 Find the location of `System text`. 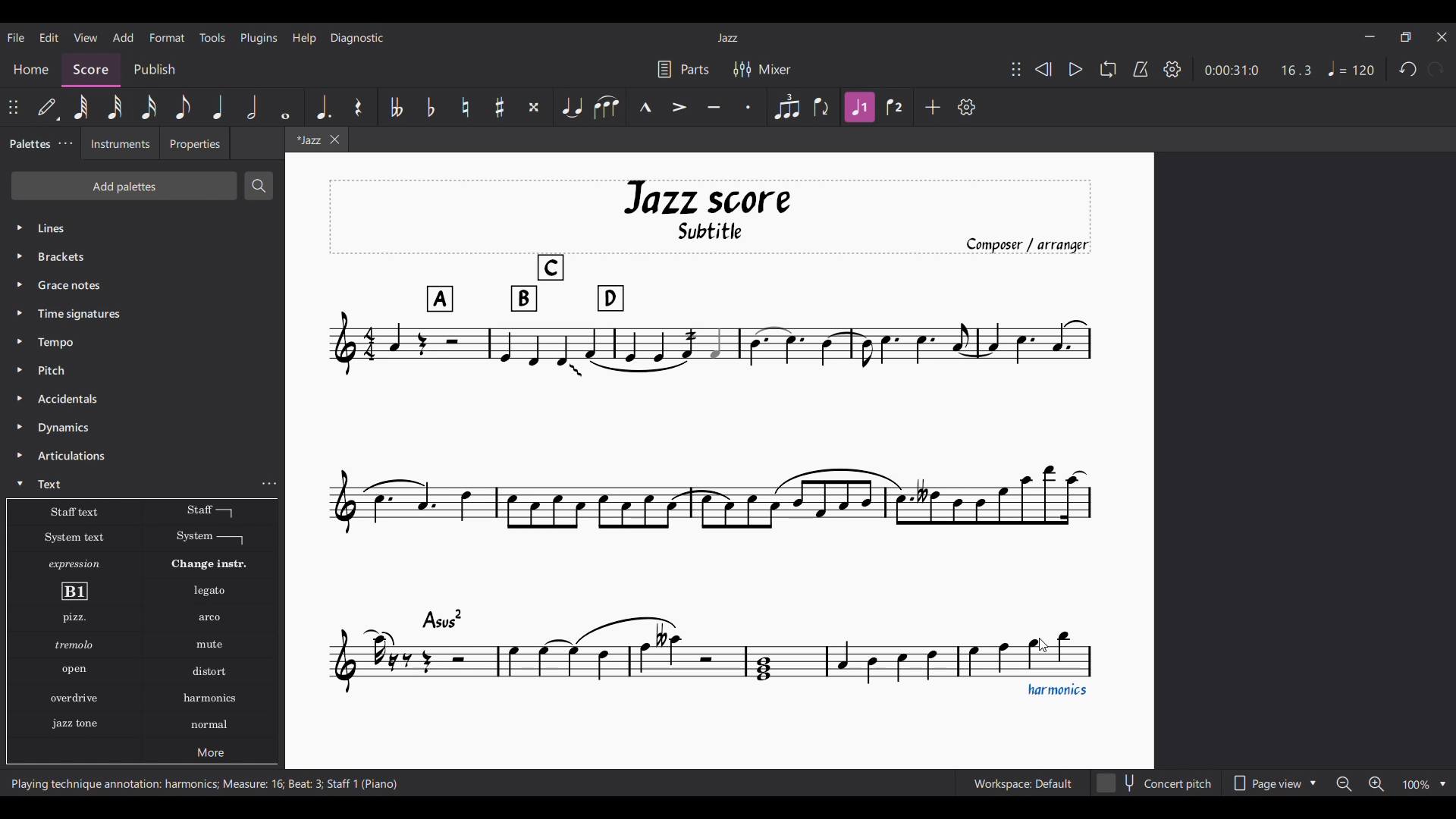

System text is located at coordinates (74, 537).